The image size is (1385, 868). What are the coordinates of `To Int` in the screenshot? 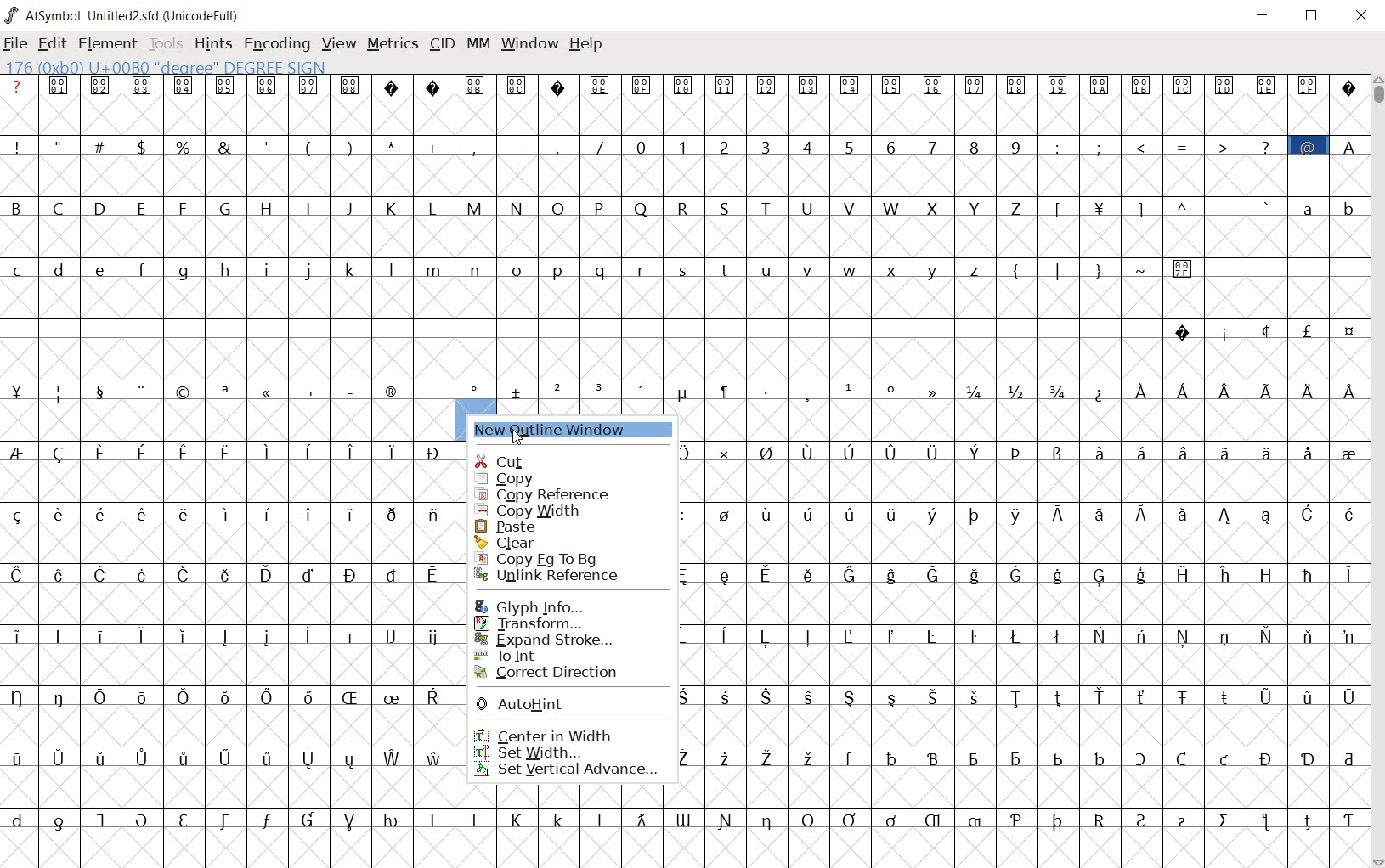 It's located at (568, 657).